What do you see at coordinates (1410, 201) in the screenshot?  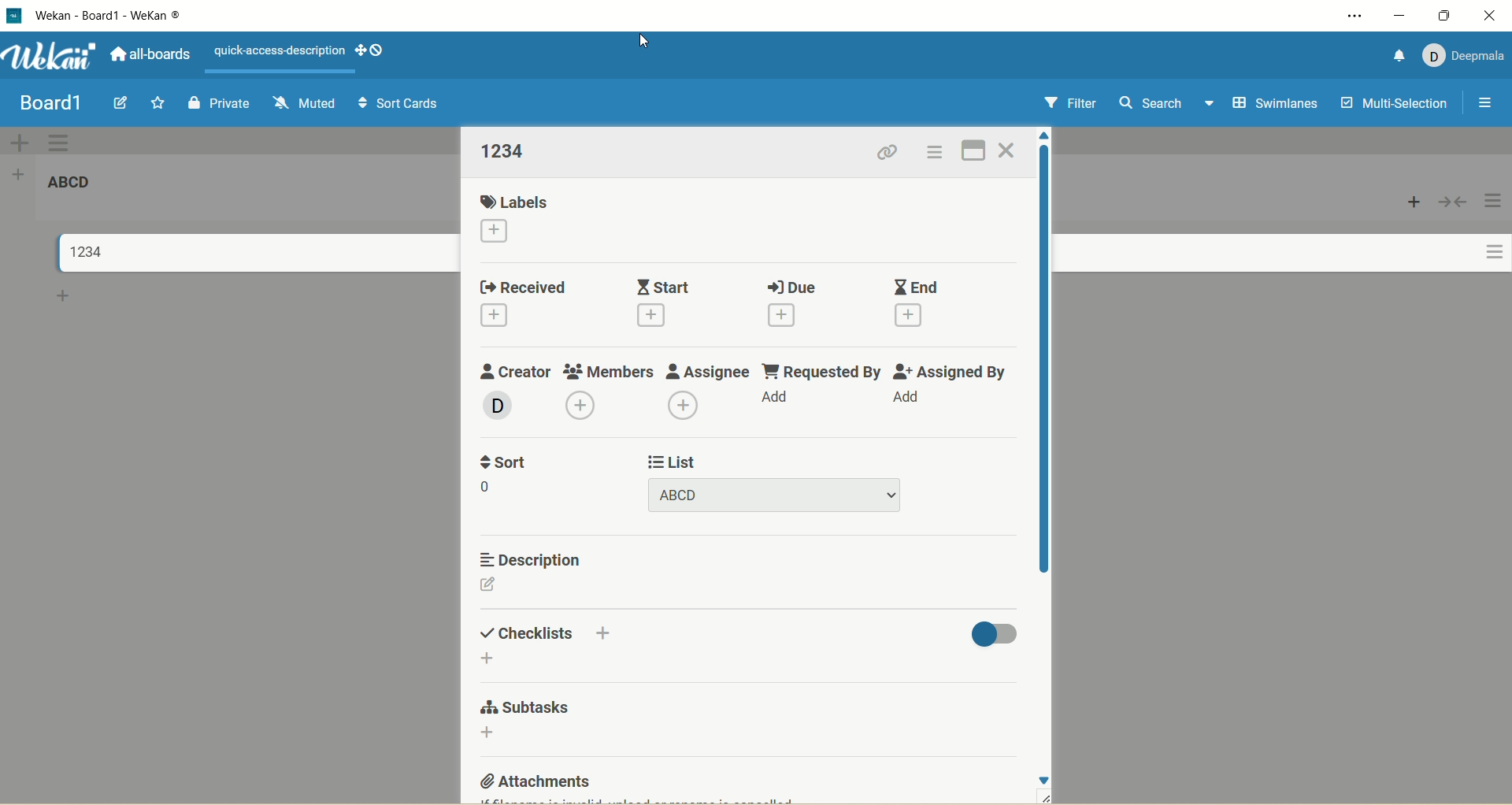 I see `add card` at bounding box center [1410, 201].